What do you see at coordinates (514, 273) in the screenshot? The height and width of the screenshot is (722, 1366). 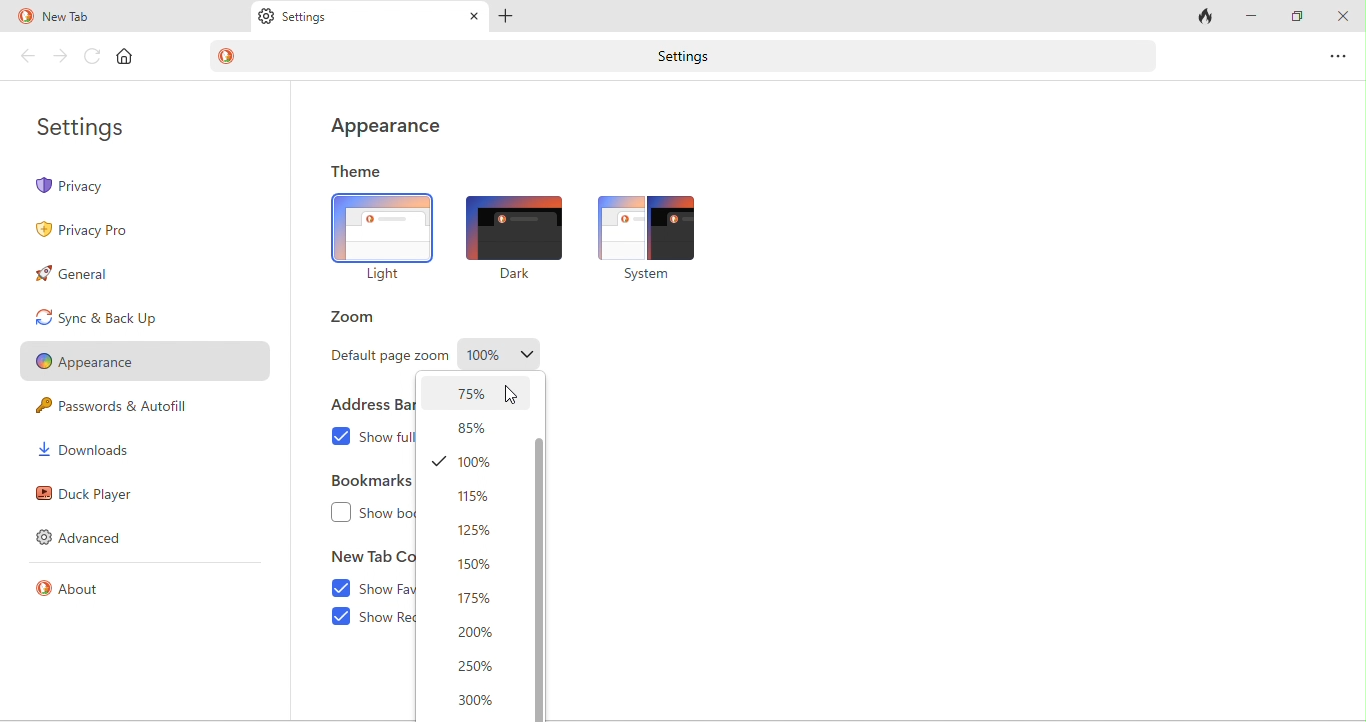 I see `dark` at bounding box center [514, 273].